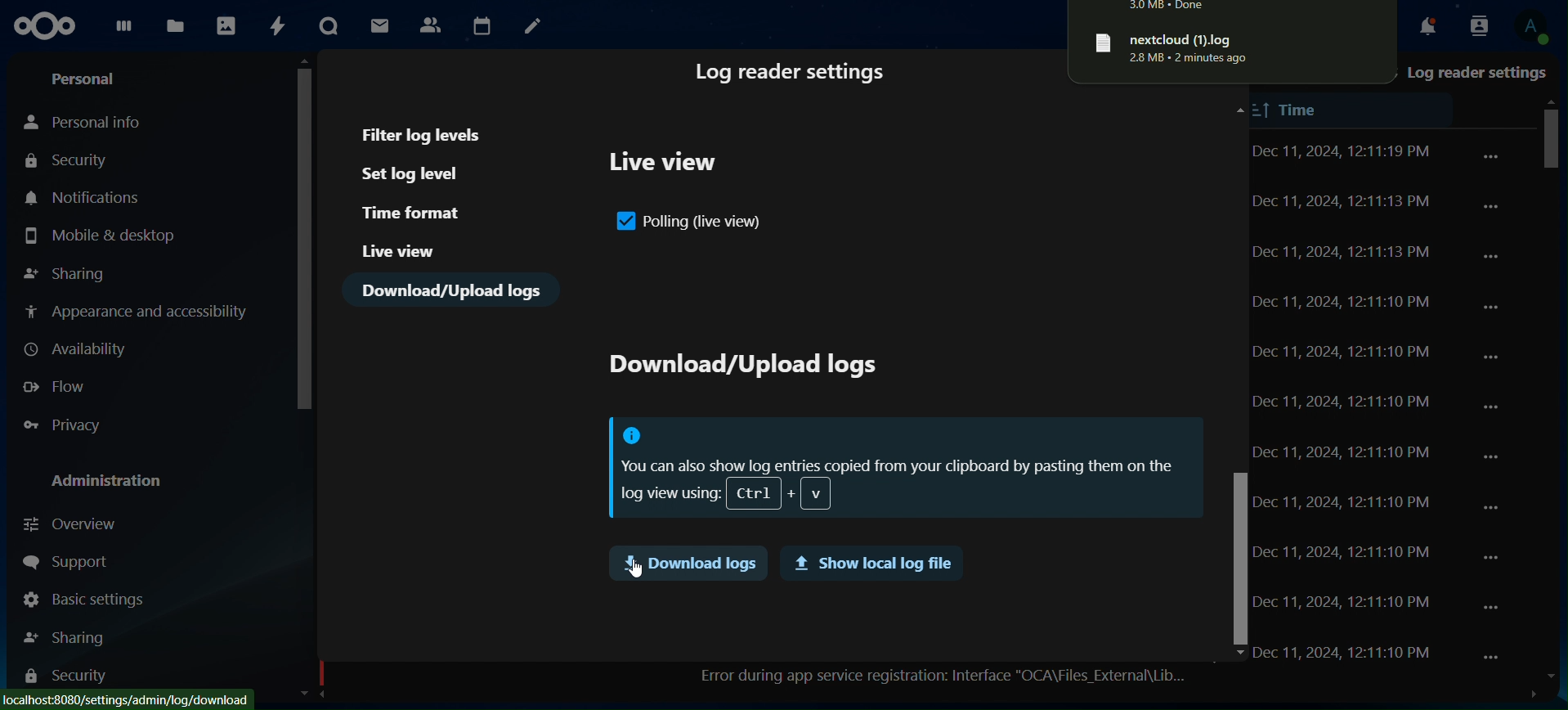 This screenshot has height=710, width=1568. What do you see at coordinates (278, 28) in the screenshot?
I see `activity` at bounding box center [278, 28].